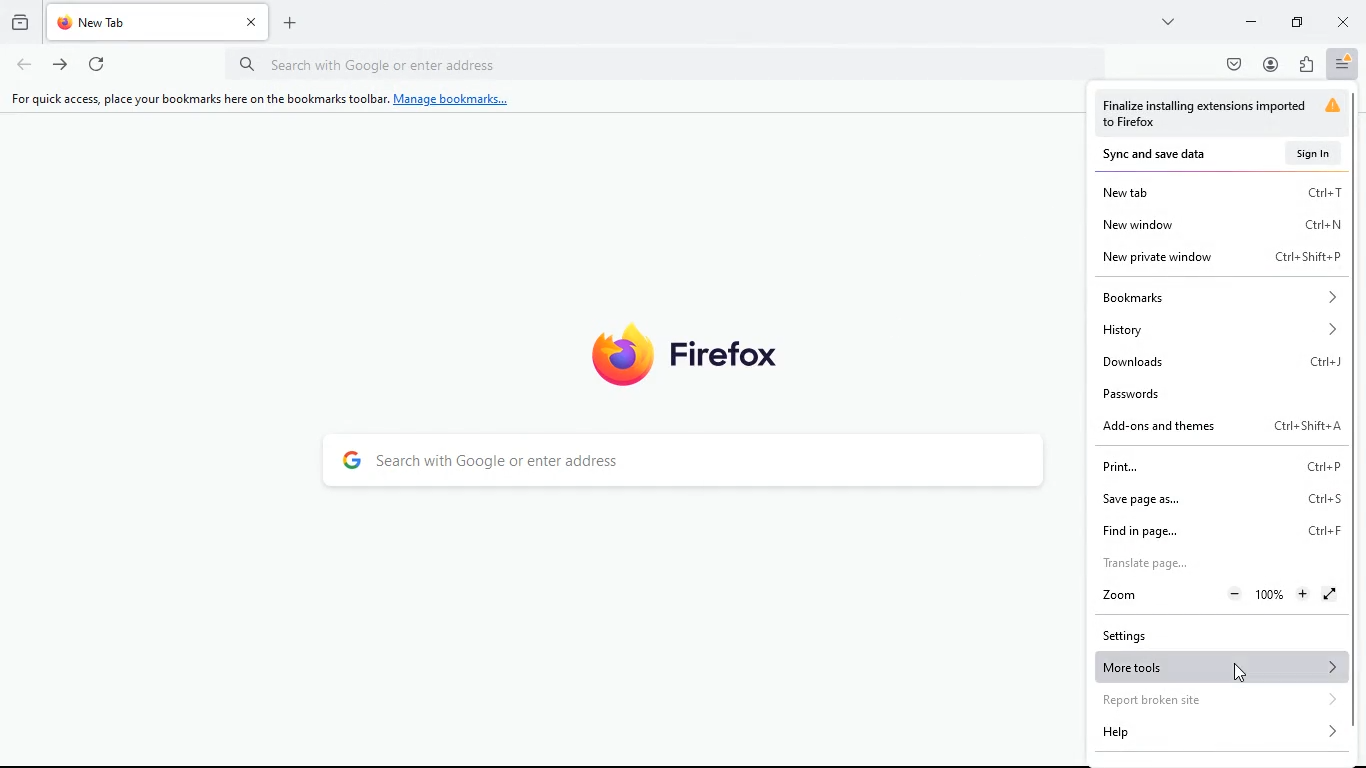  What do you see at coordinates (1223, 498) in the screenshot?
I see `save page as` at bounding box center [1223, 498].